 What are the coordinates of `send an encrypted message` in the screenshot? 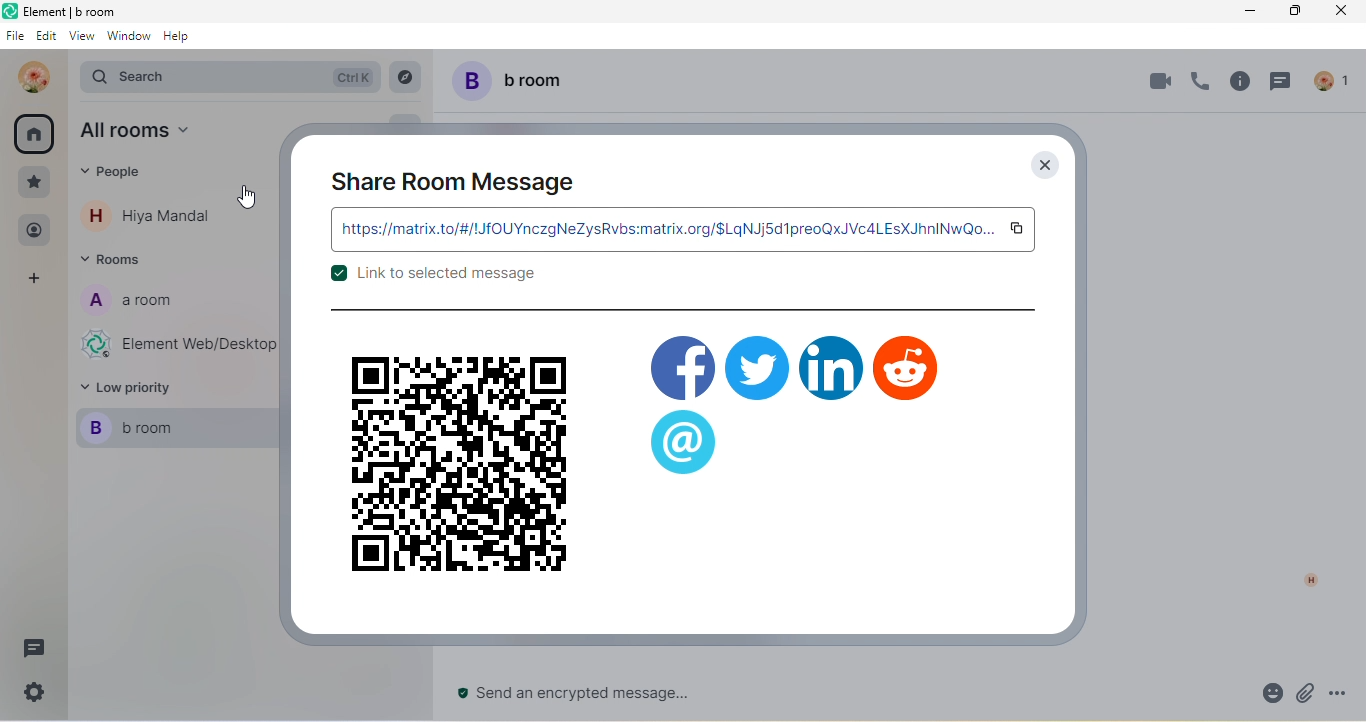 It's located at (590, 694).